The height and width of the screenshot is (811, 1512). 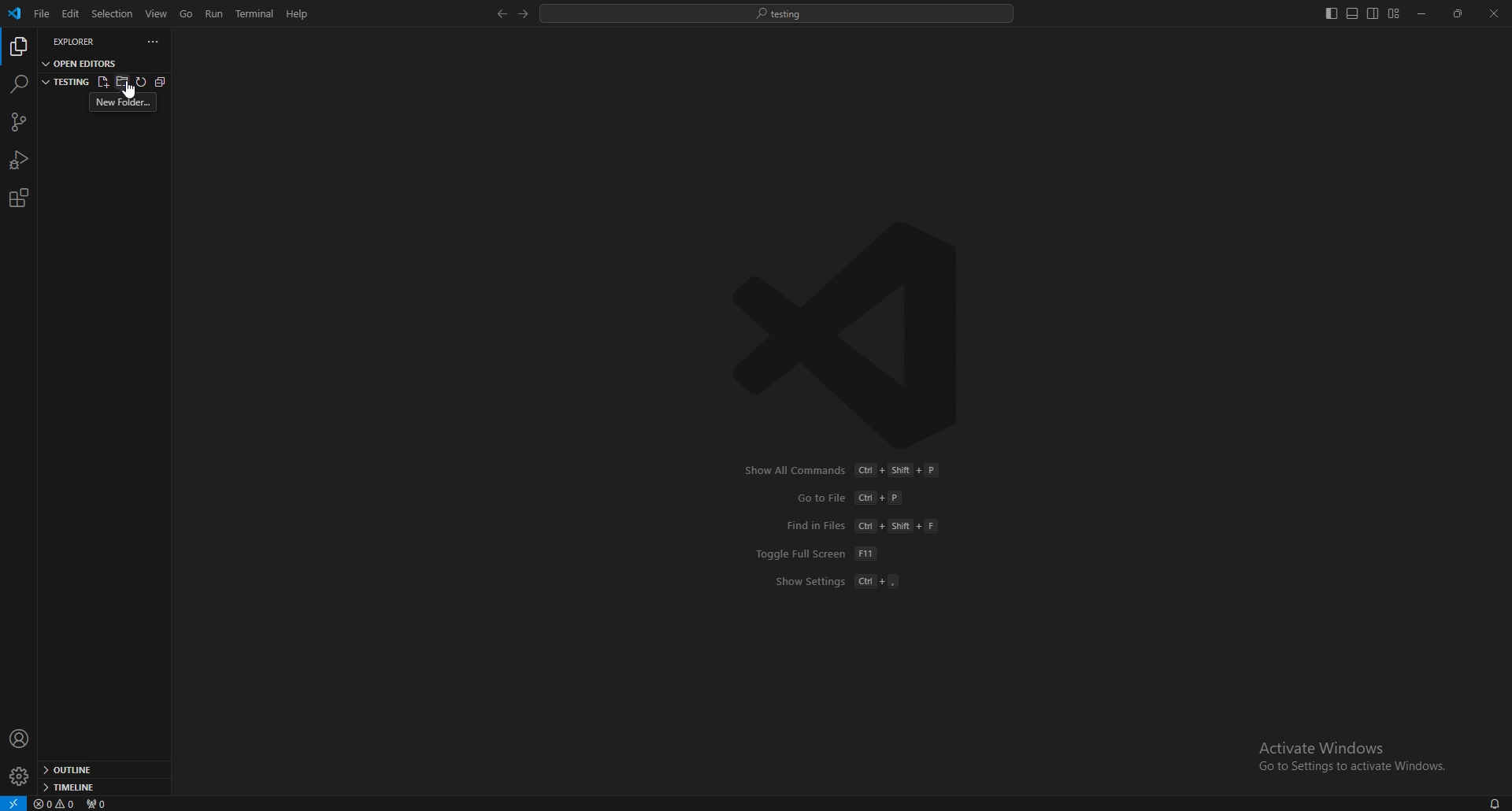 I want to click on errors, so click(x=56, y=805).